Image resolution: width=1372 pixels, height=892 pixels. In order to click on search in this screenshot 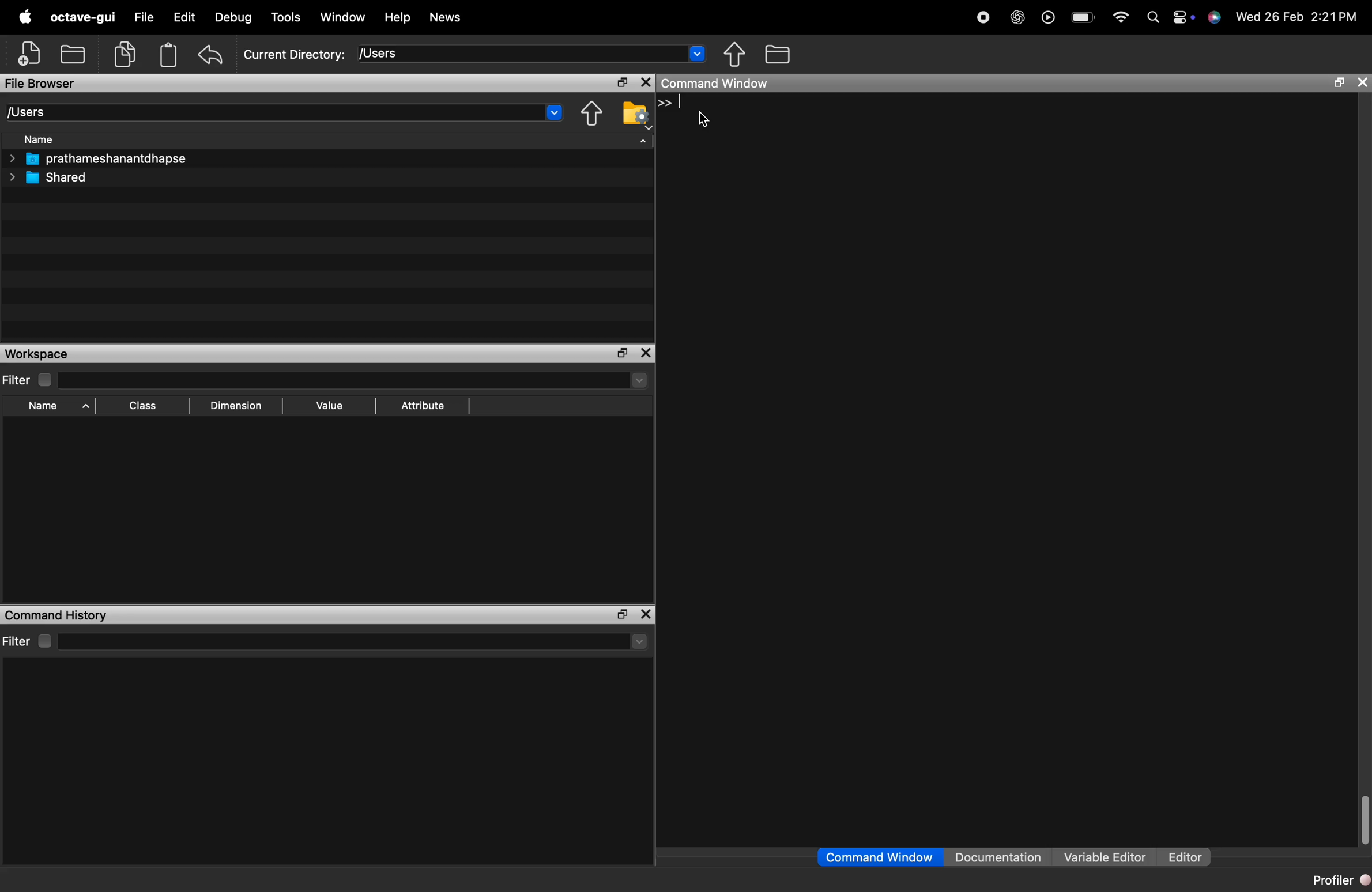, I will do `click(1152, 17)`.